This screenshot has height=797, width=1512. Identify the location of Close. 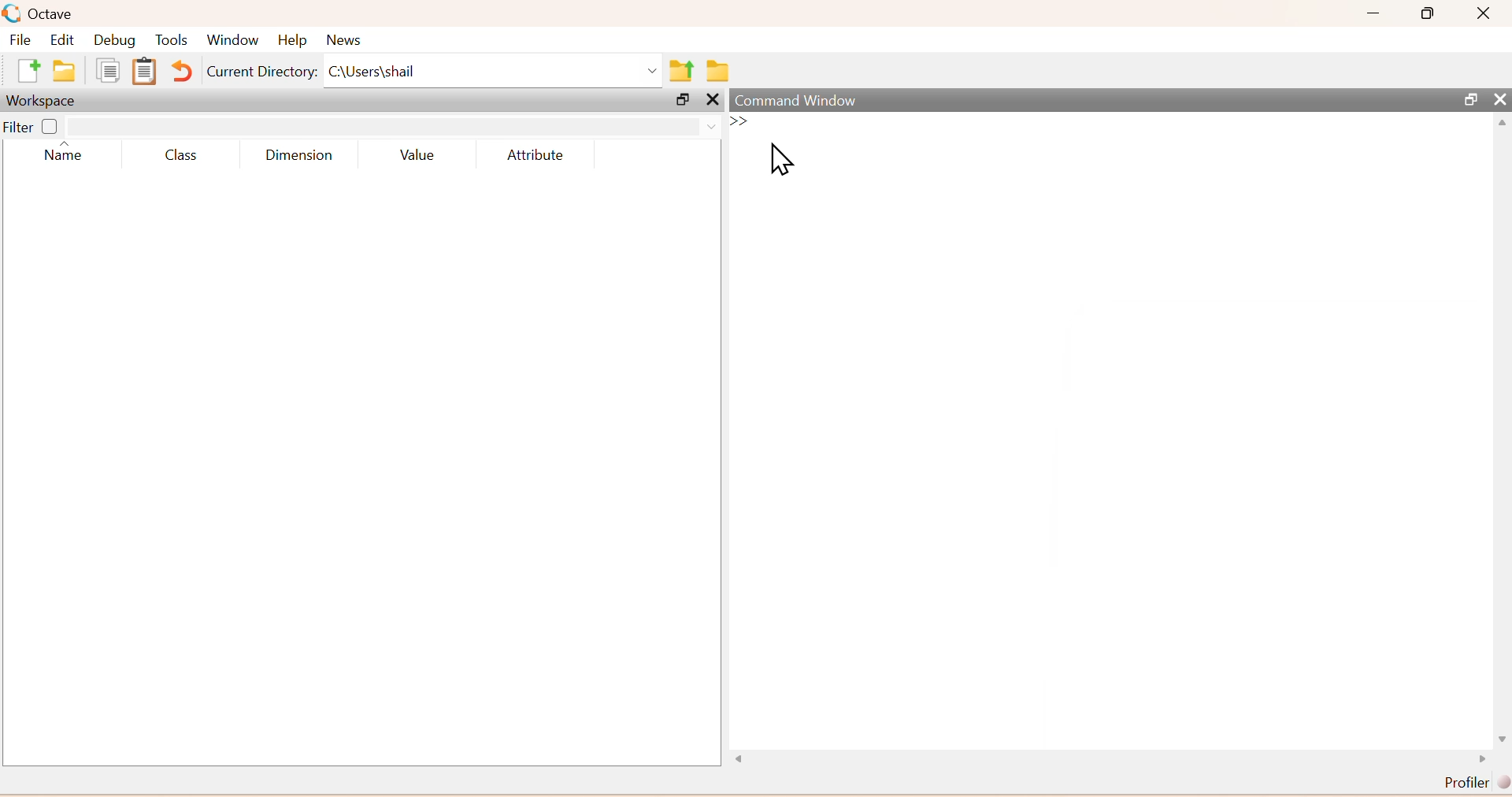
(1483, 13).